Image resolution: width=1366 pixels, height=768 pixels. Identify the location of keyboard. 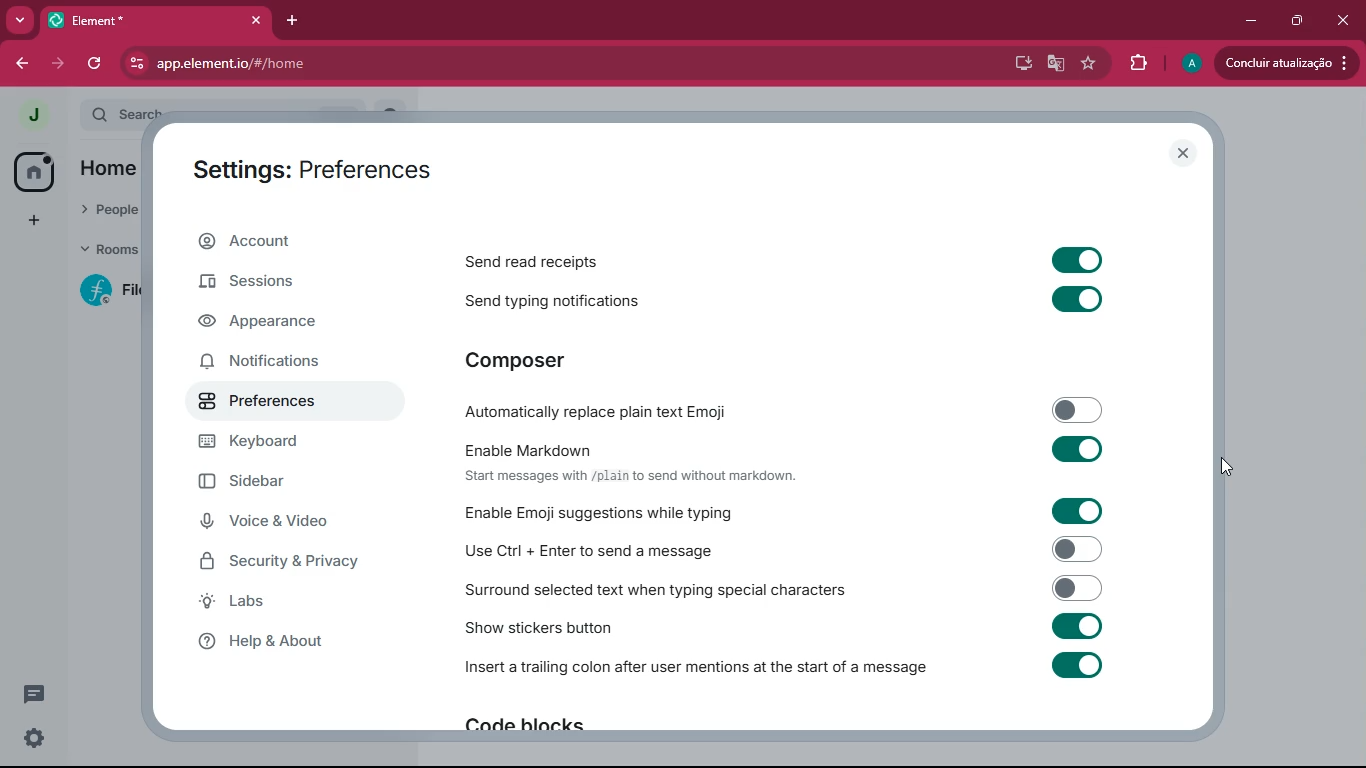
(273, 444).